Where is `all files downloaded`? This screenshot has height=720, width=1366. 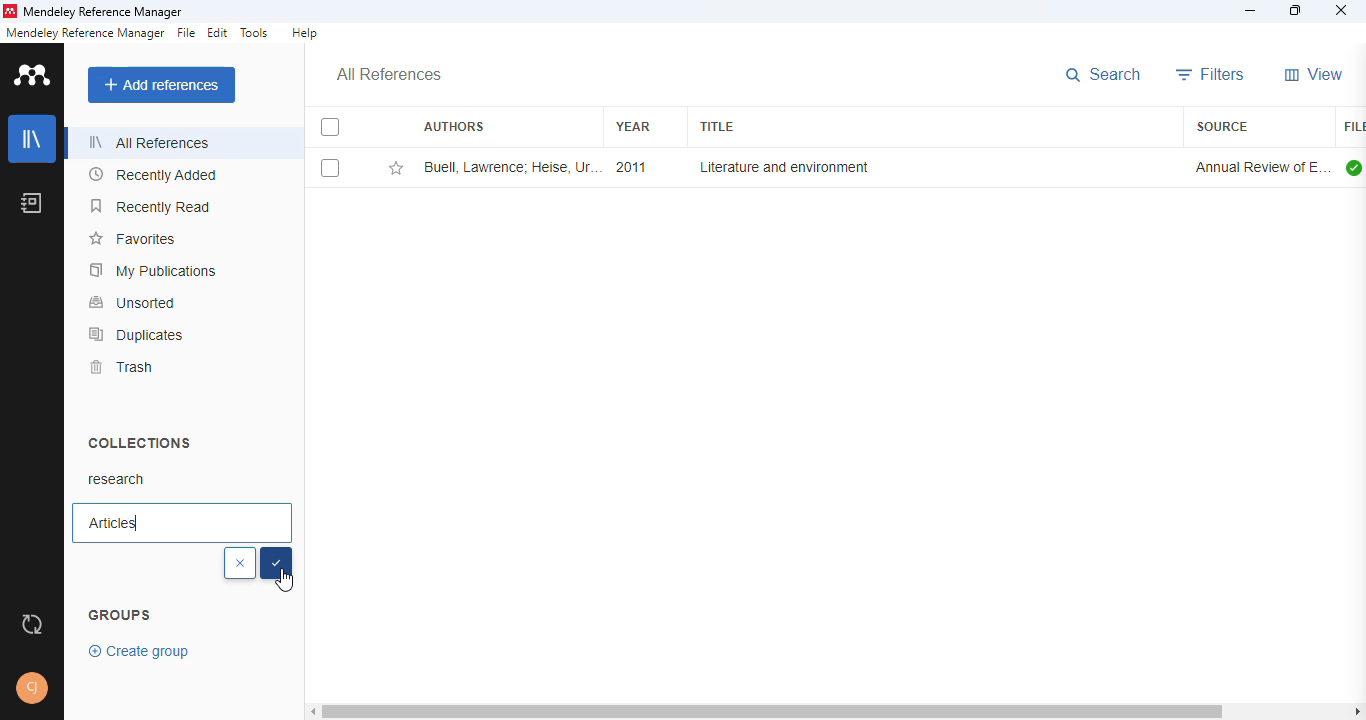
all files downloaded is located at coordinates (1354, 167).